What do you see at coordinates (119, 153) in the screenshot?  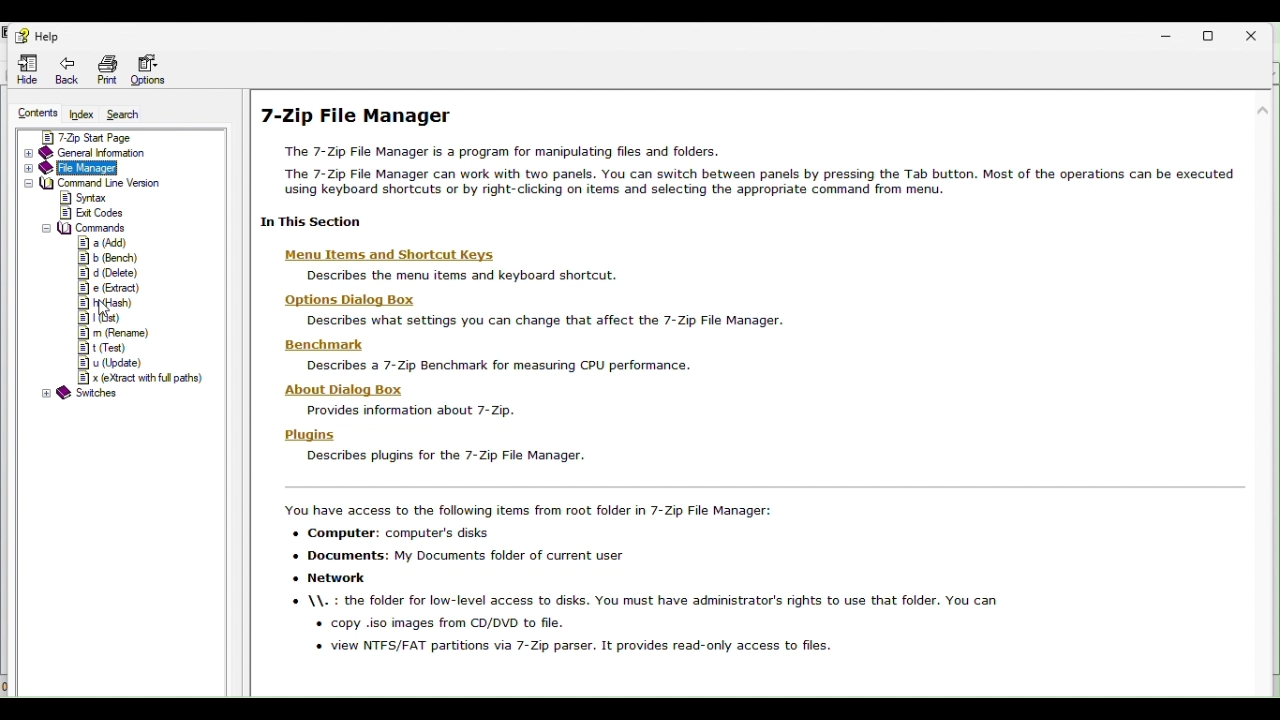 I see `General` at bounding box center [119, 153].